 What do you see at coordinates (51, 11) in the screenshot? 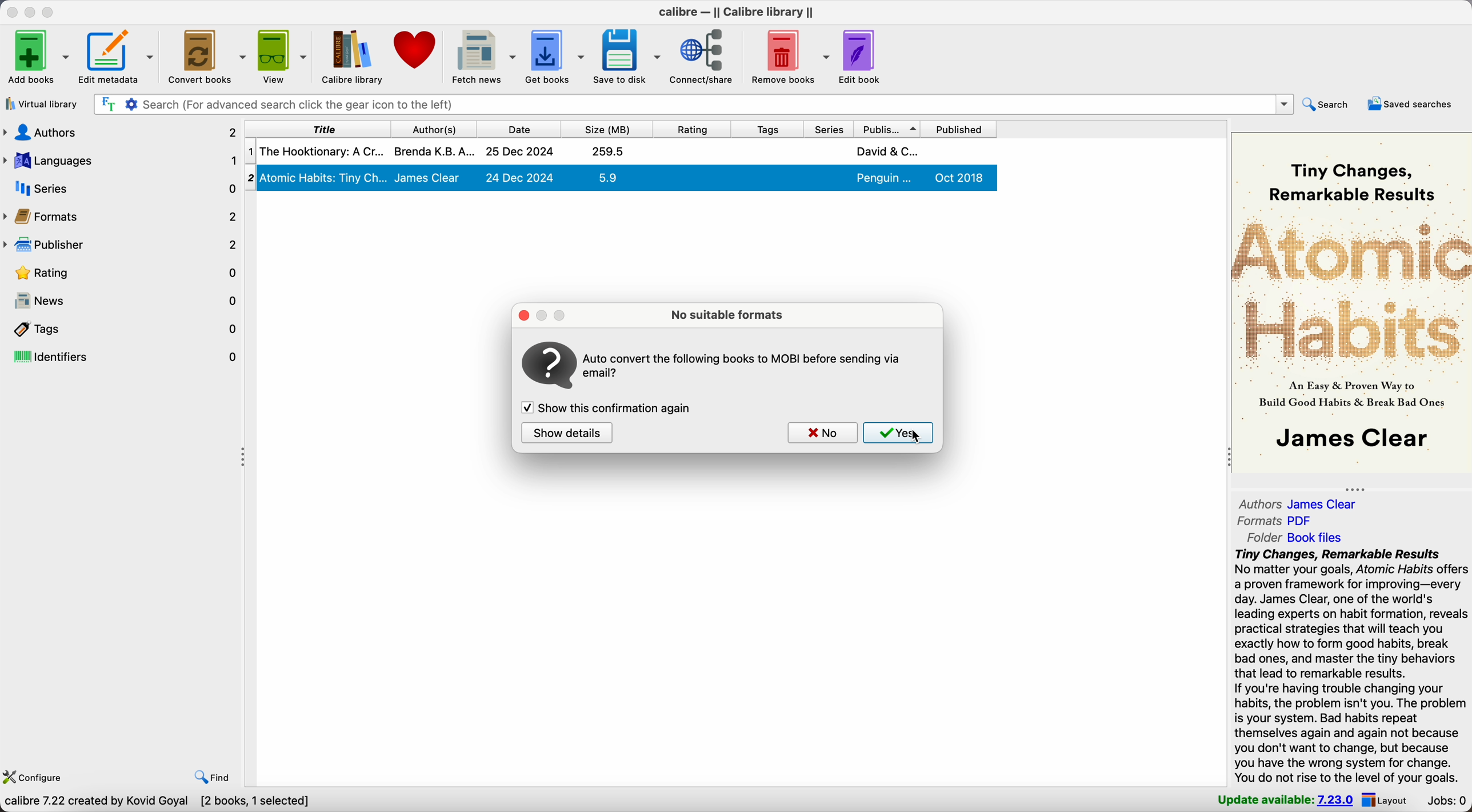
I see `maximize Calibre` at bounding box center [51, 11].